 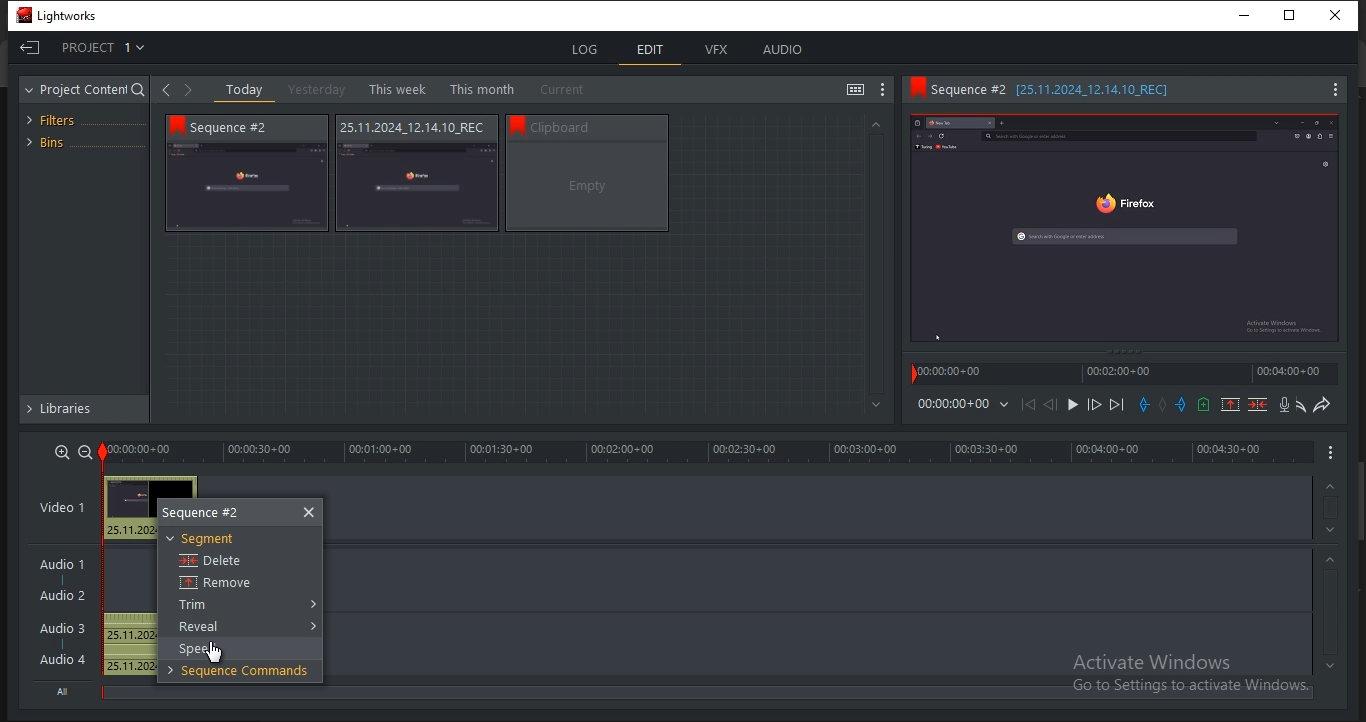 What do you see at coordinates (204, 540) in the screenshot?
I see `segment` at bounding box center [204, 540].